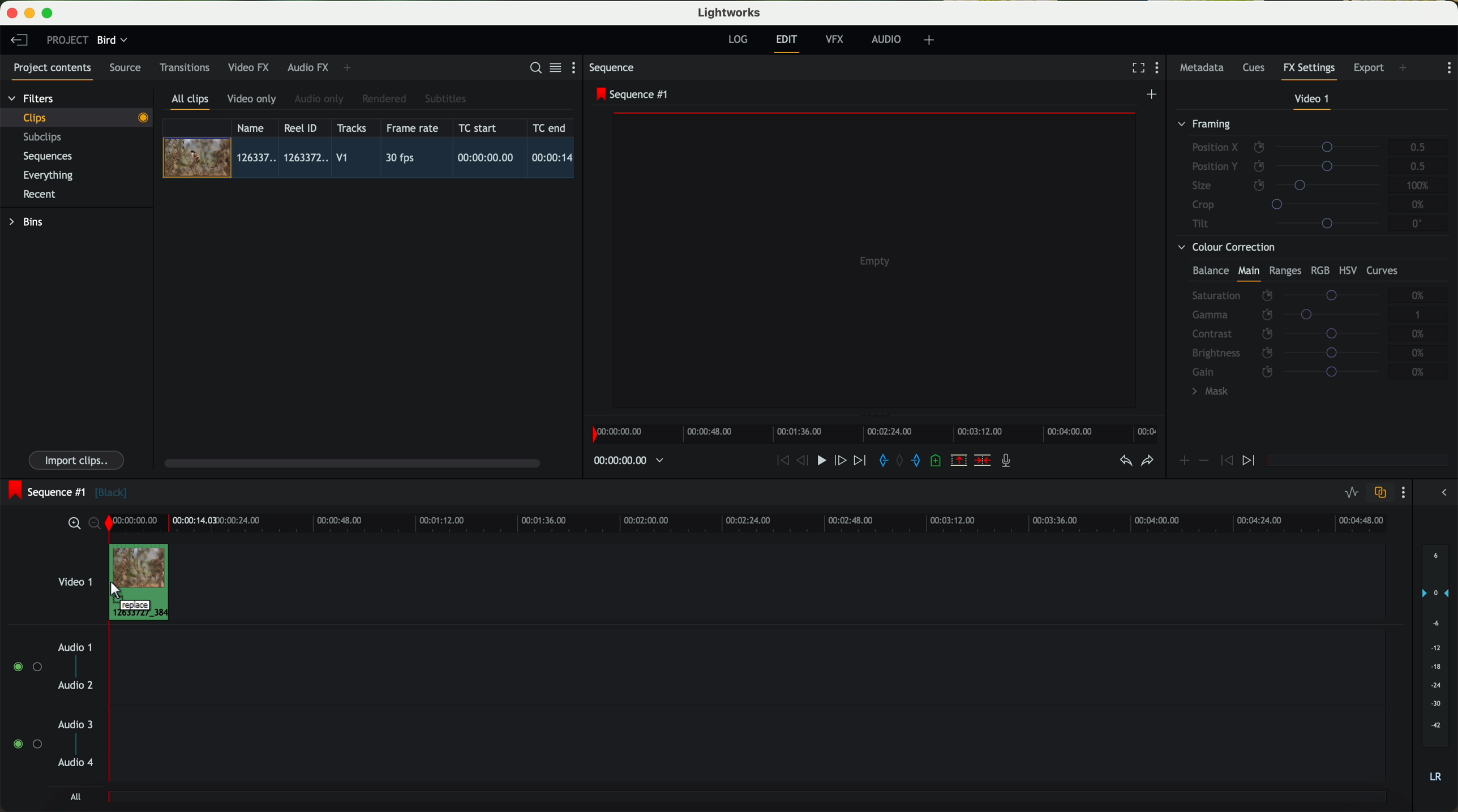 This screenshot has width=1458, height=812. I want to click on undo, so click(1125, 461).